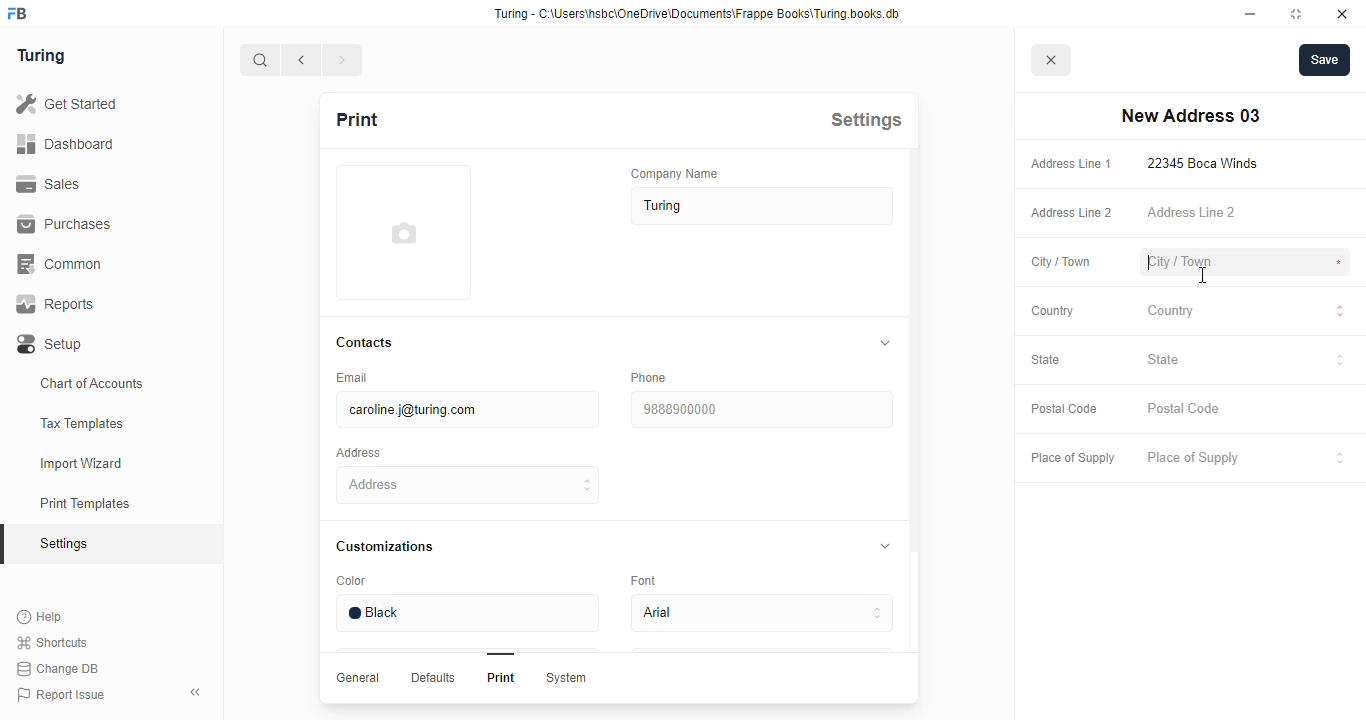 This screenshot has height=720, width=1366. I want to click on toggle sidebar, so click(198, 691).